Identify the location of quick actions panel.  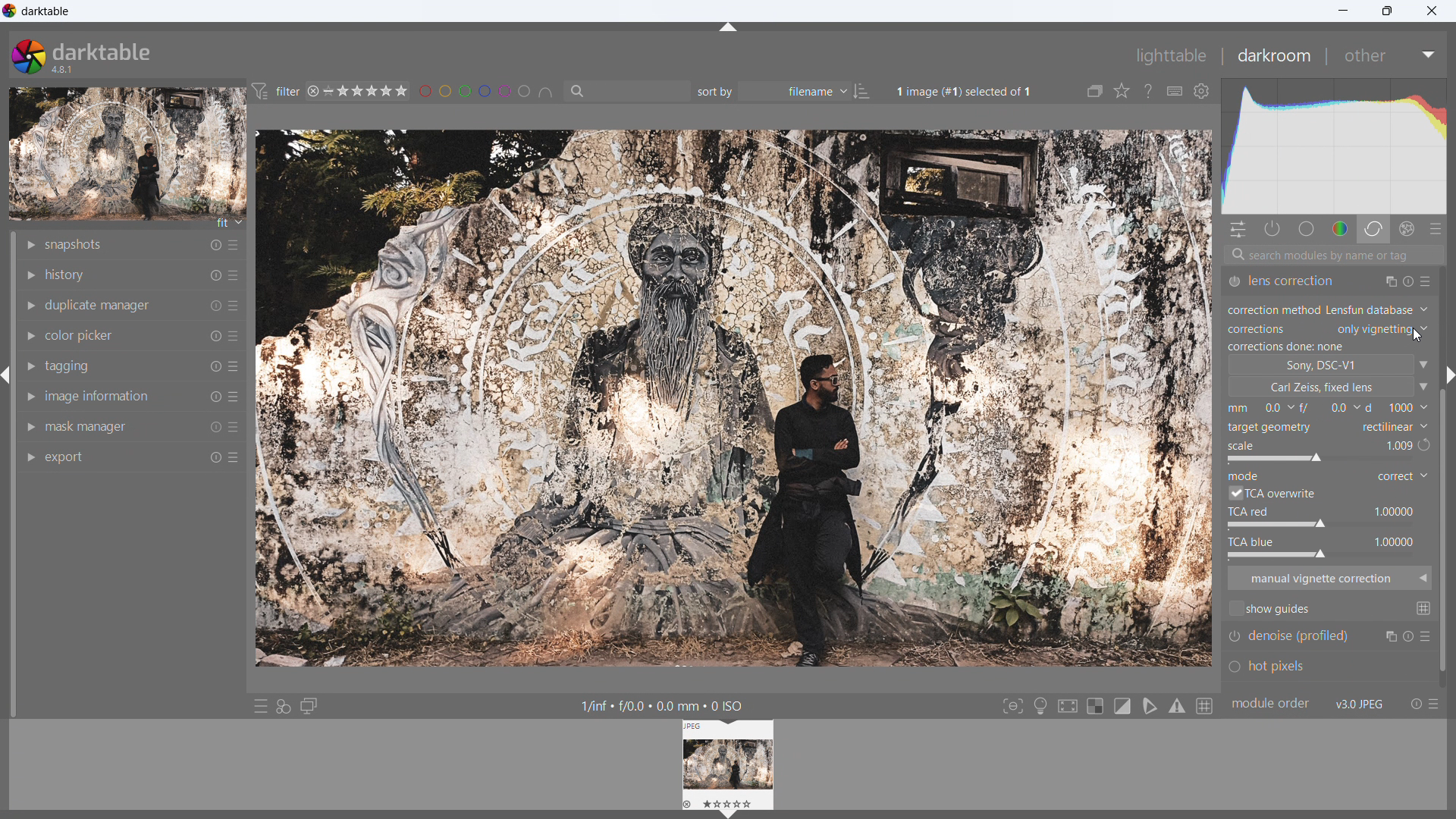
(1235, 230).